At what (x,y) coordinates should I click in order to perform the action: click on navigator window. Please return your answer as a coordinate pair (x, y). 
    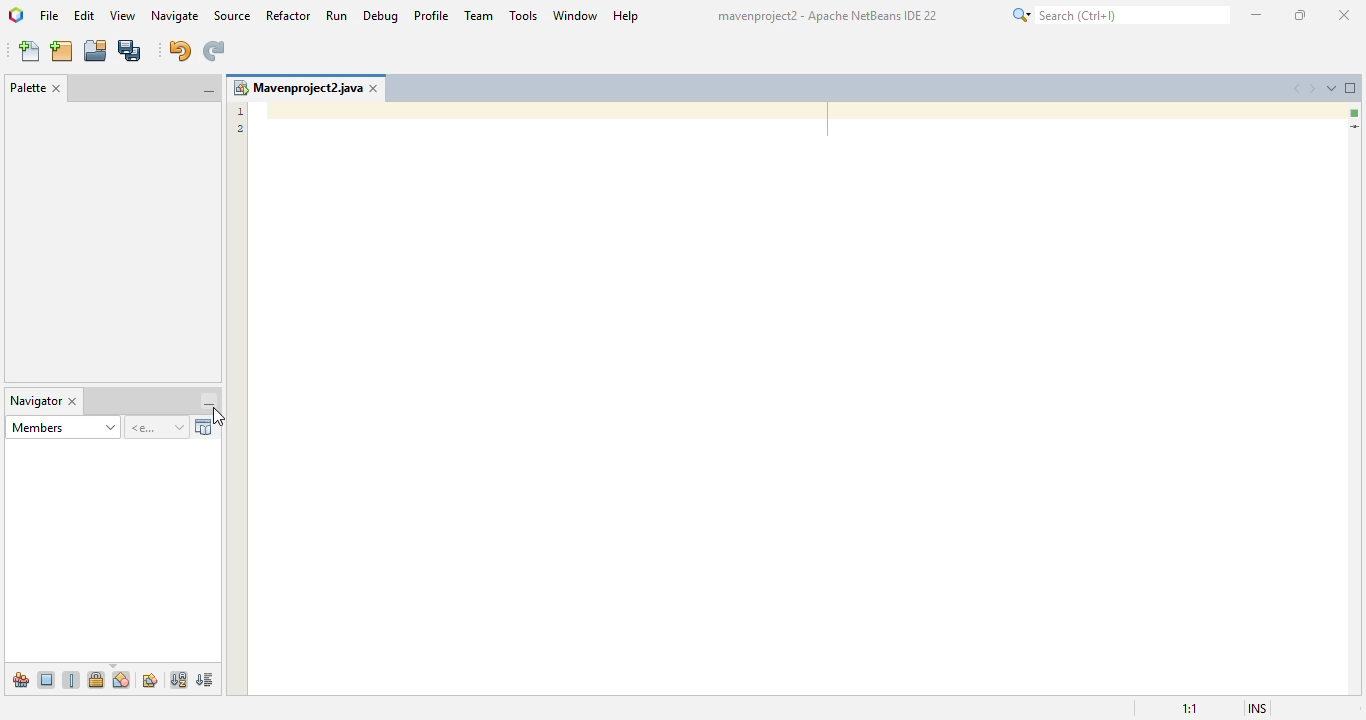
    Looking at the image, I should click on (111, 553).